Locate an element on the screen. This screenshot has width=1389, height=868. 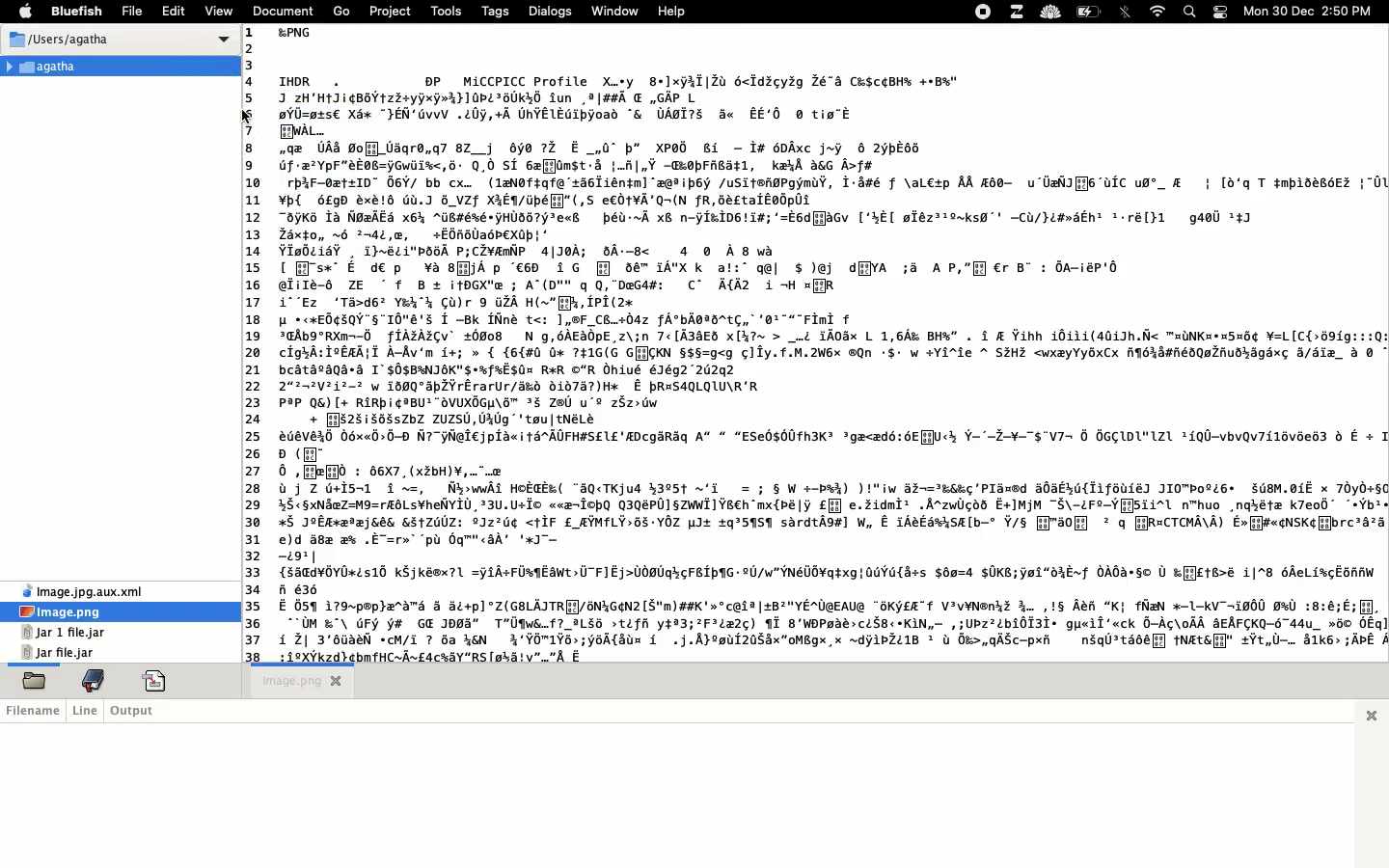
jar file jar is located at coordinates (62, 654).